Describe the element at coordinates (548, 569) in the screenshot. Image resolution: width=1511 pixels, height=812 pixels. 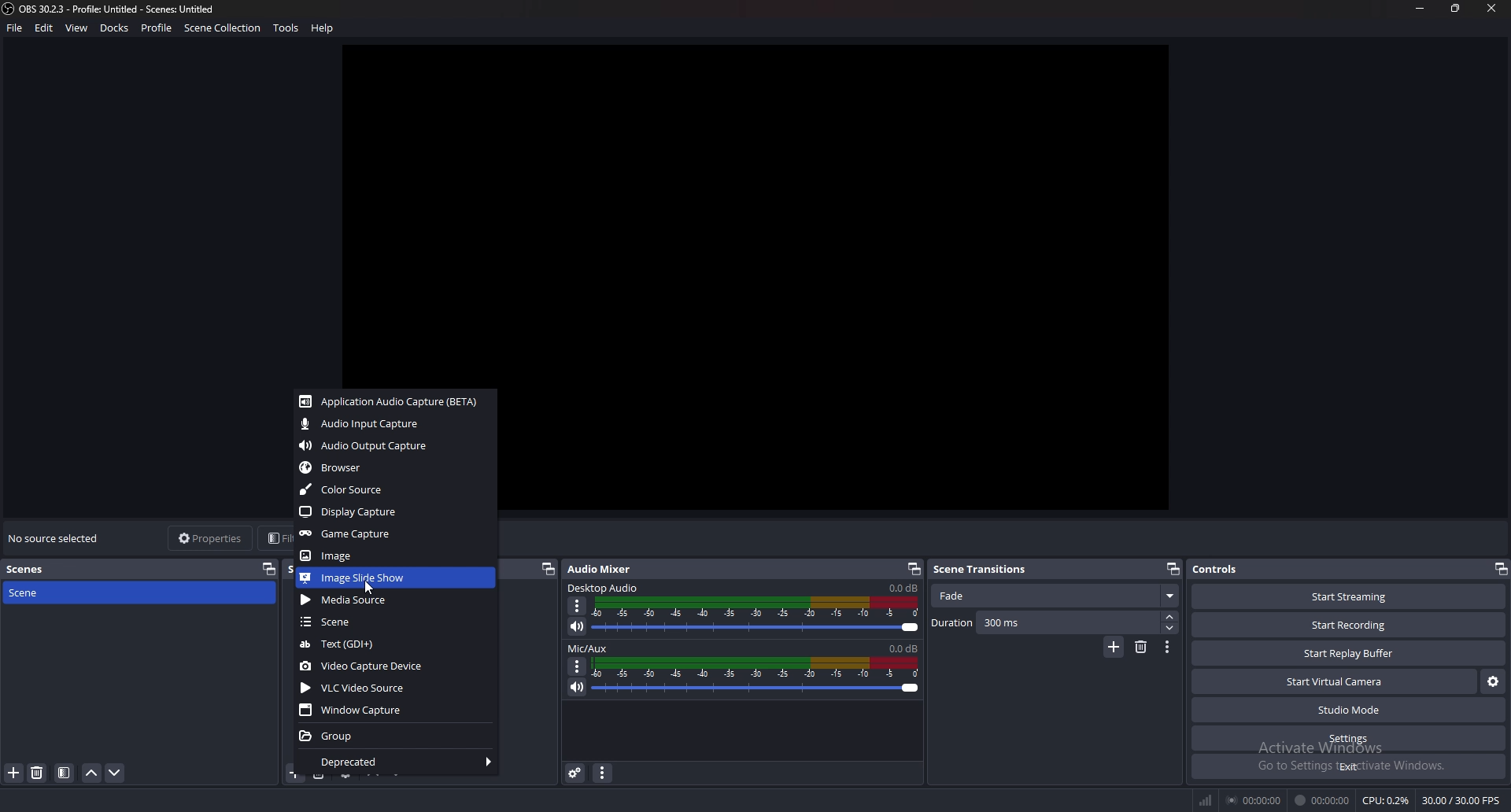
I see `popout` at that location.